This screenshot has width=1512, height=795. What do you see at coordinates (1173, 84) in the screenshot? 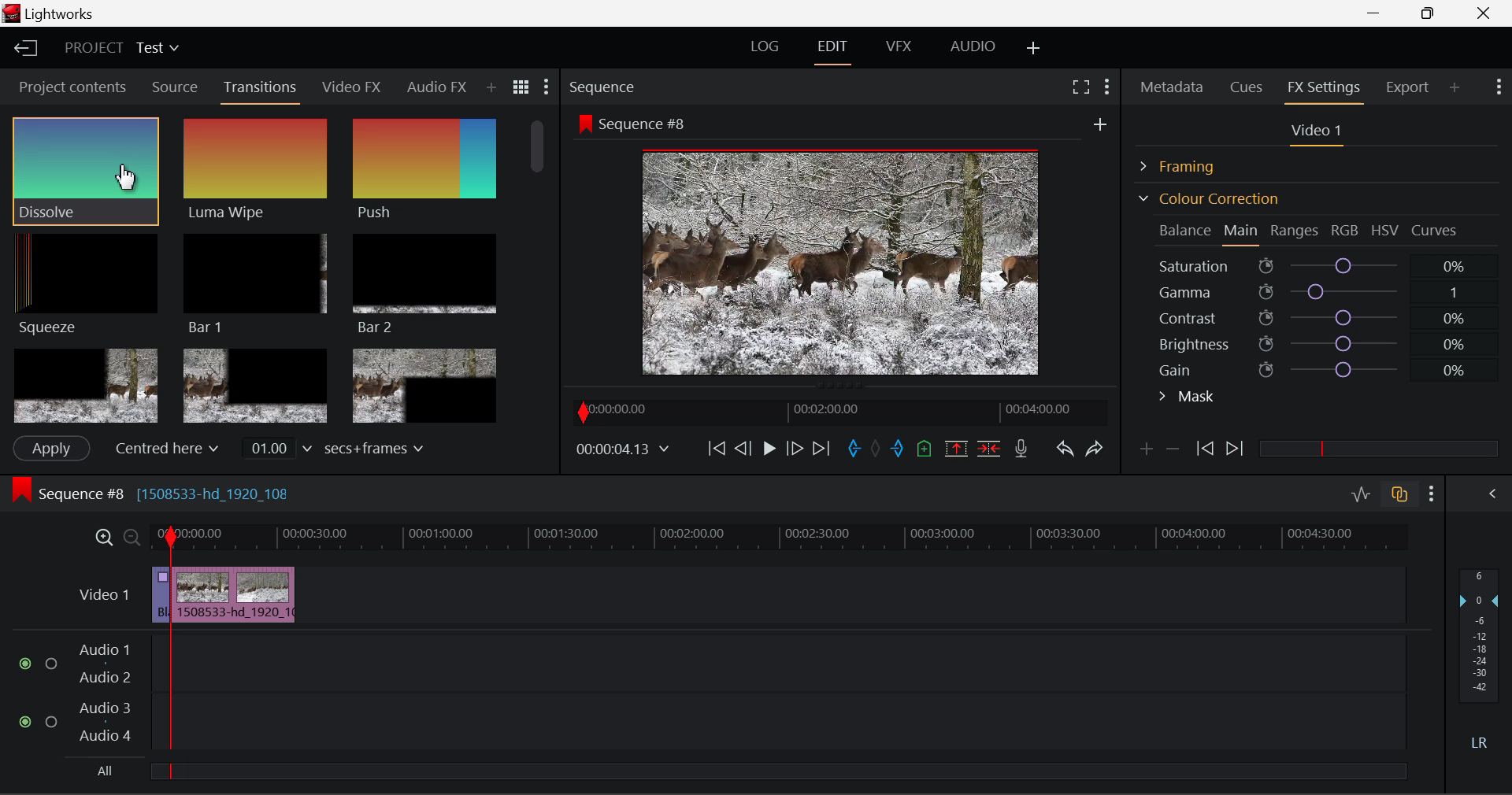
I see `Metadata Panel` at bounding box center [1173, 84].